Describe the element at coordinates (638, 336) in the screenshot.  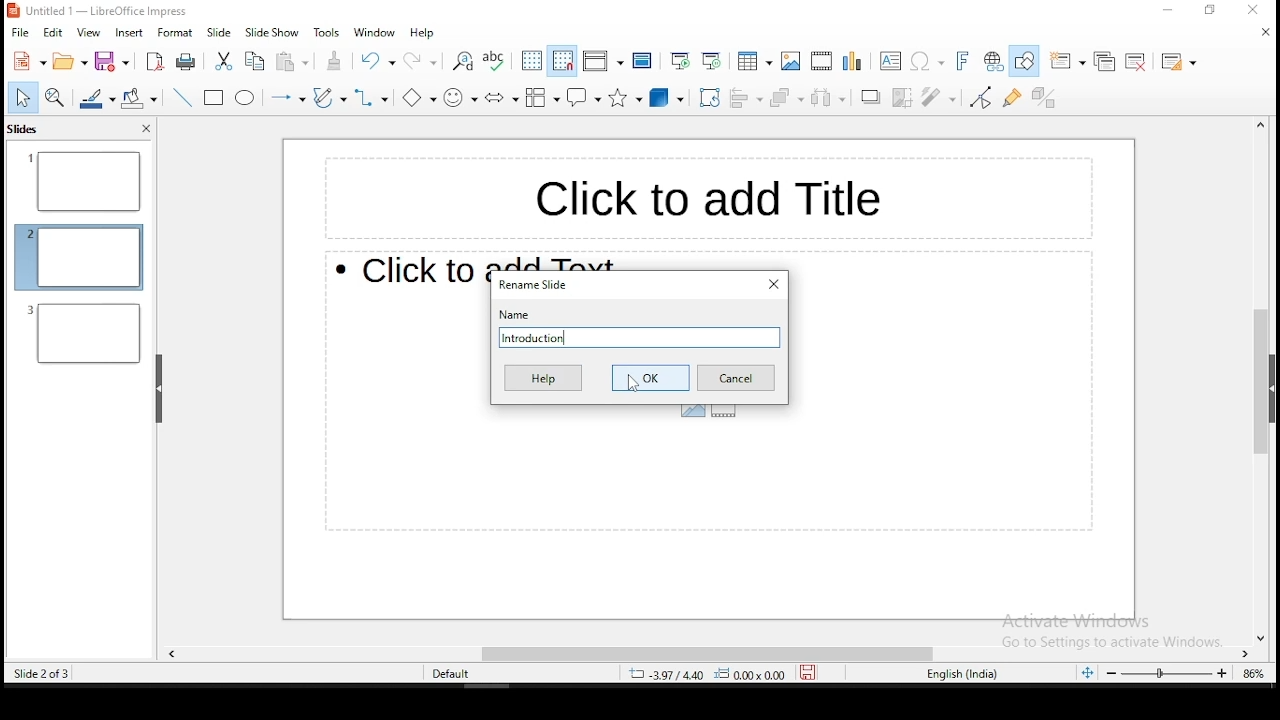
I see `introduction` at that location.